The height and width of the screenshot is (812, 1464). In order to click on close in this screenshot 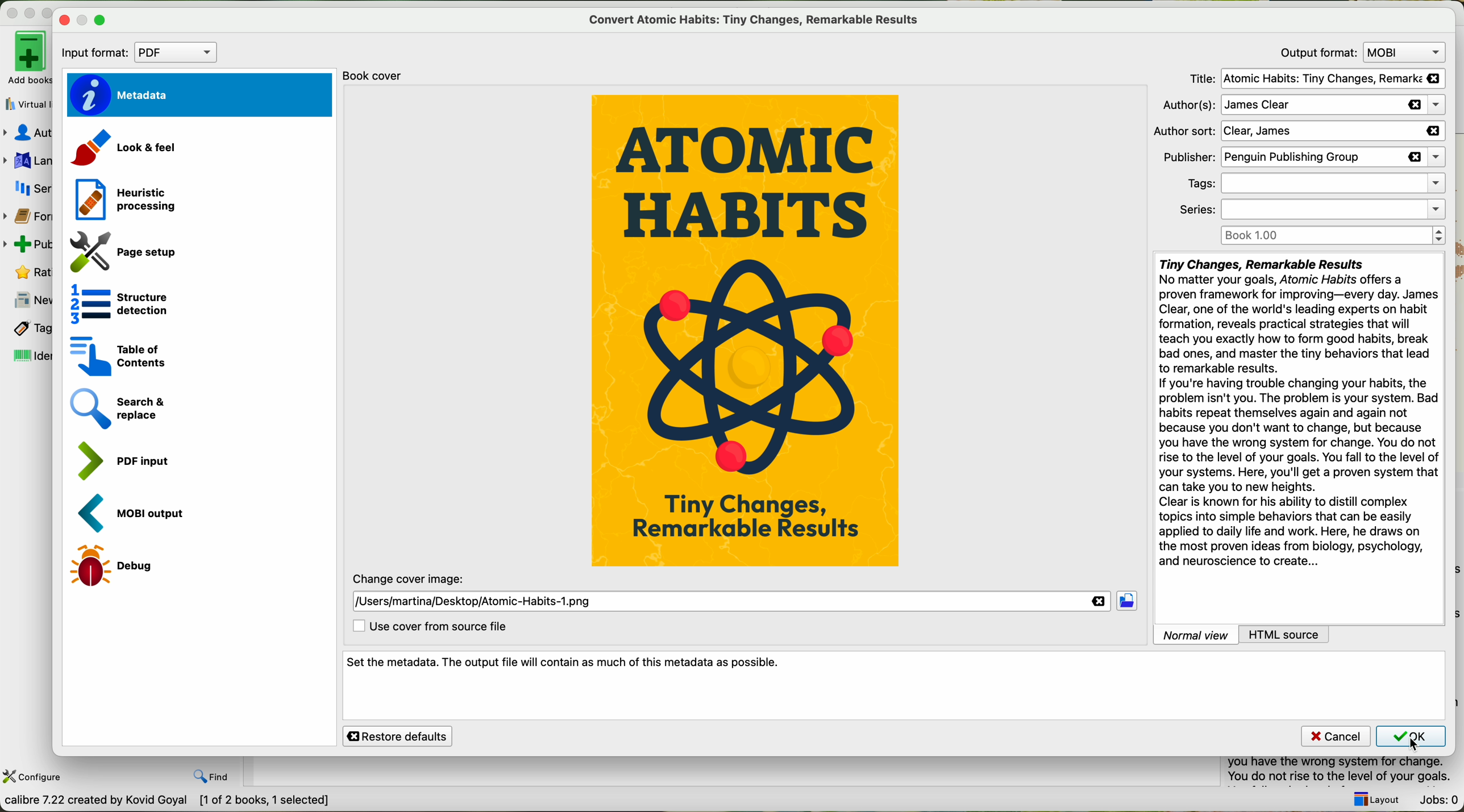, I will do `click(65, 21)`.